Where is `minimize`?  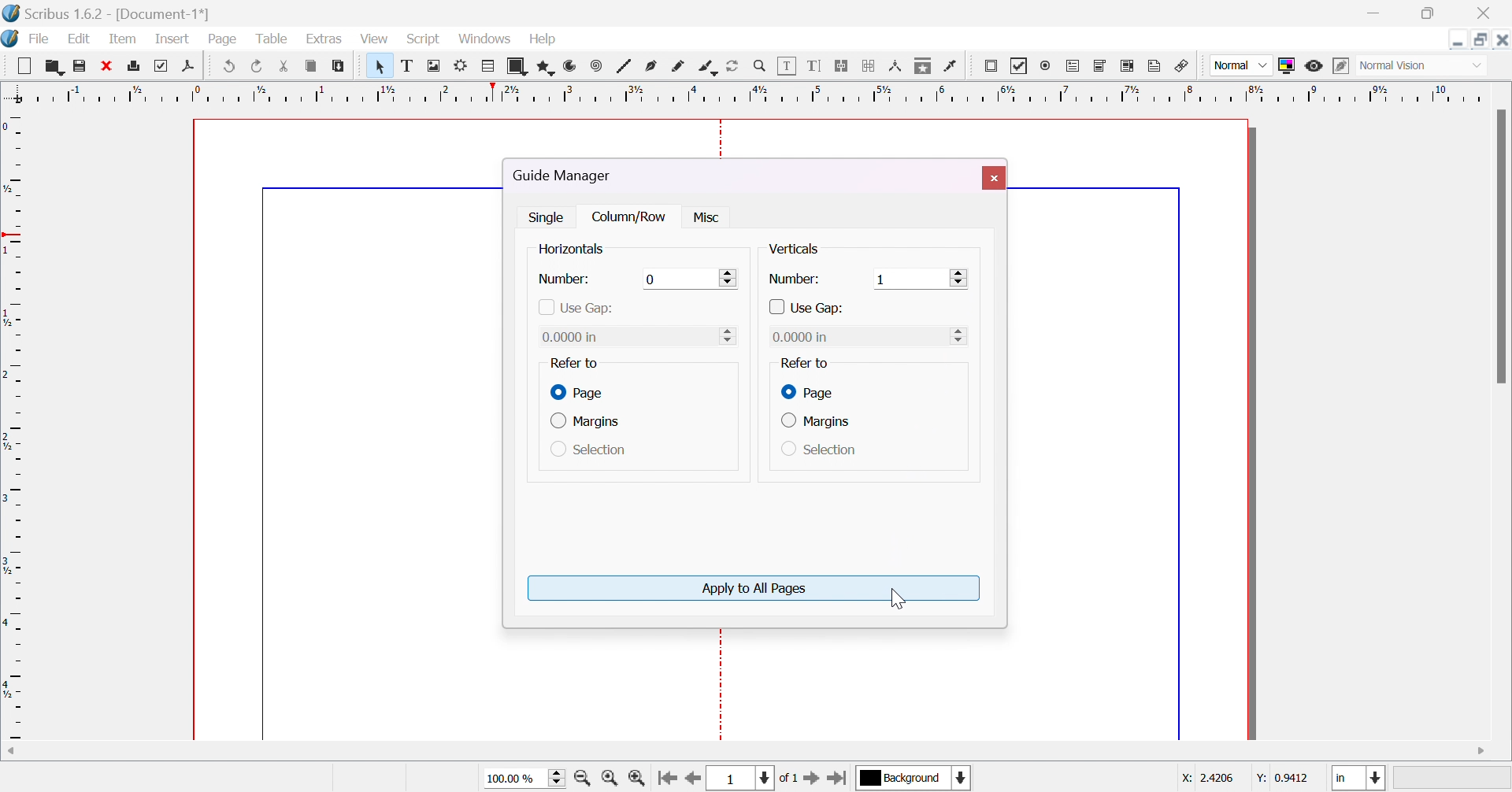
minimize is located at coordinates (1371, 13).